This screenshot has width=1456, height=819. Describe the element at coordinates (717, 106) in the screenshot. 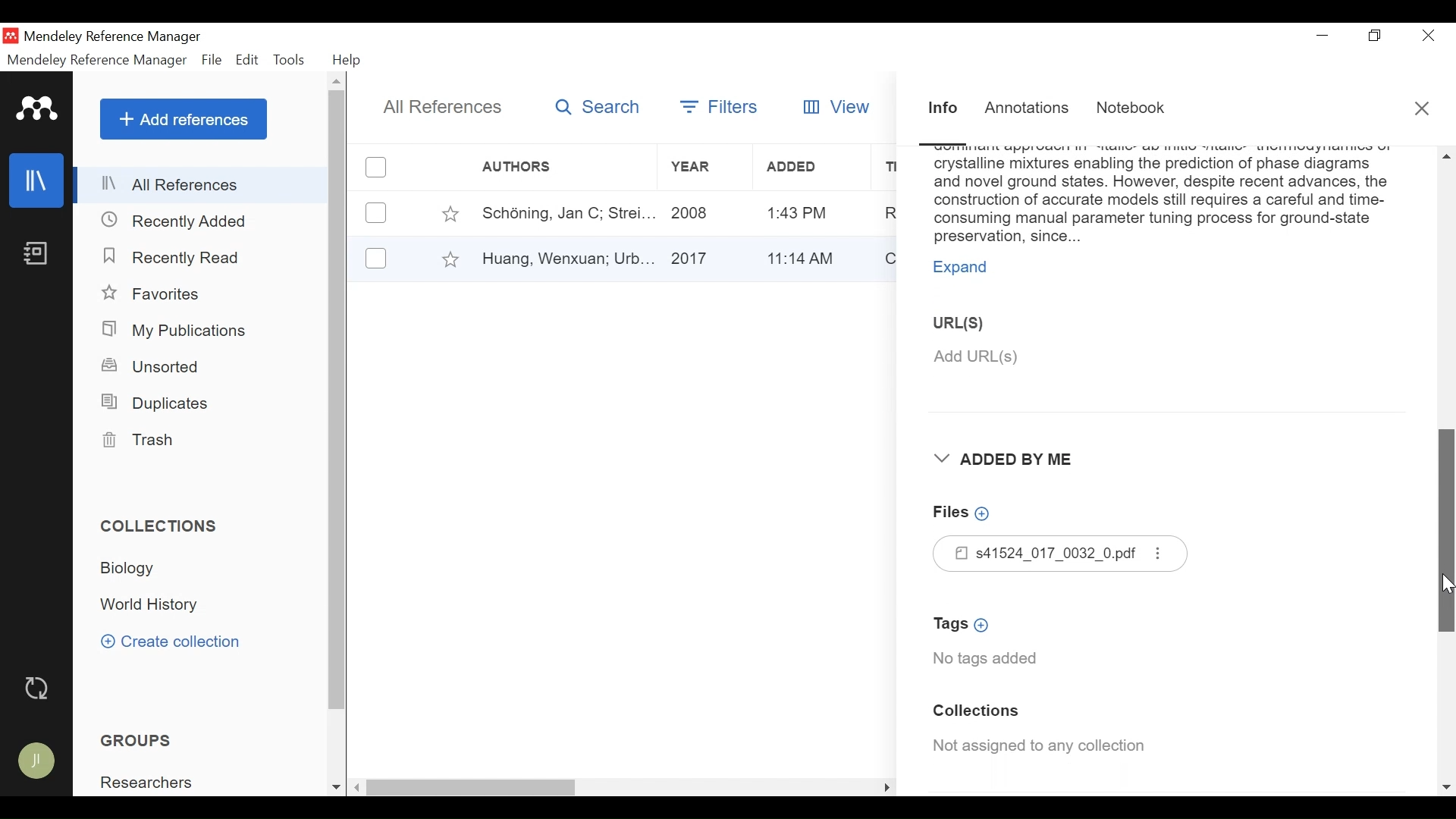

I see `Filters` at that location.